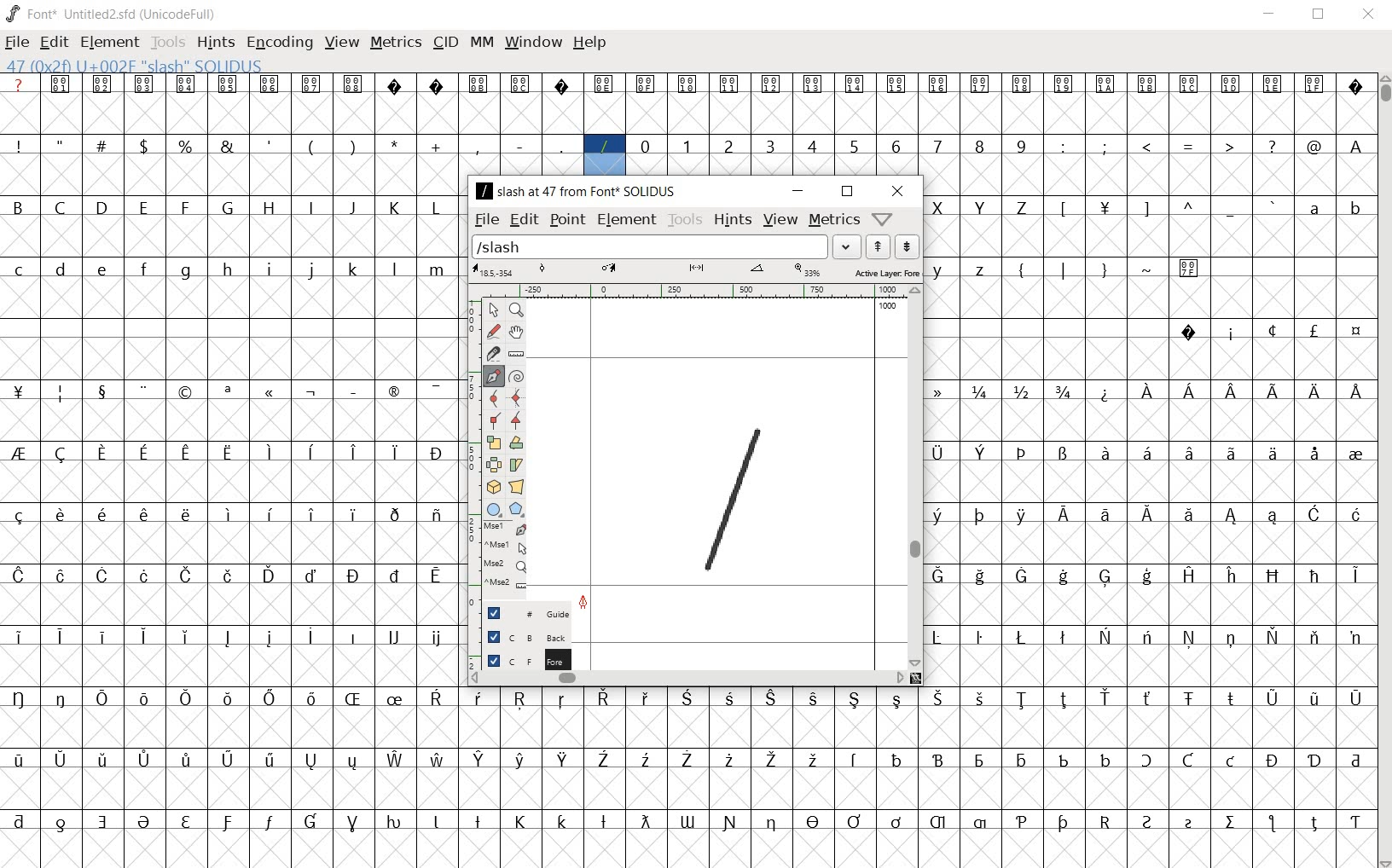 Image resolution: width=1392 pixels, height=868 pixels. I want to click on small letters c-z, so click(233, 268).